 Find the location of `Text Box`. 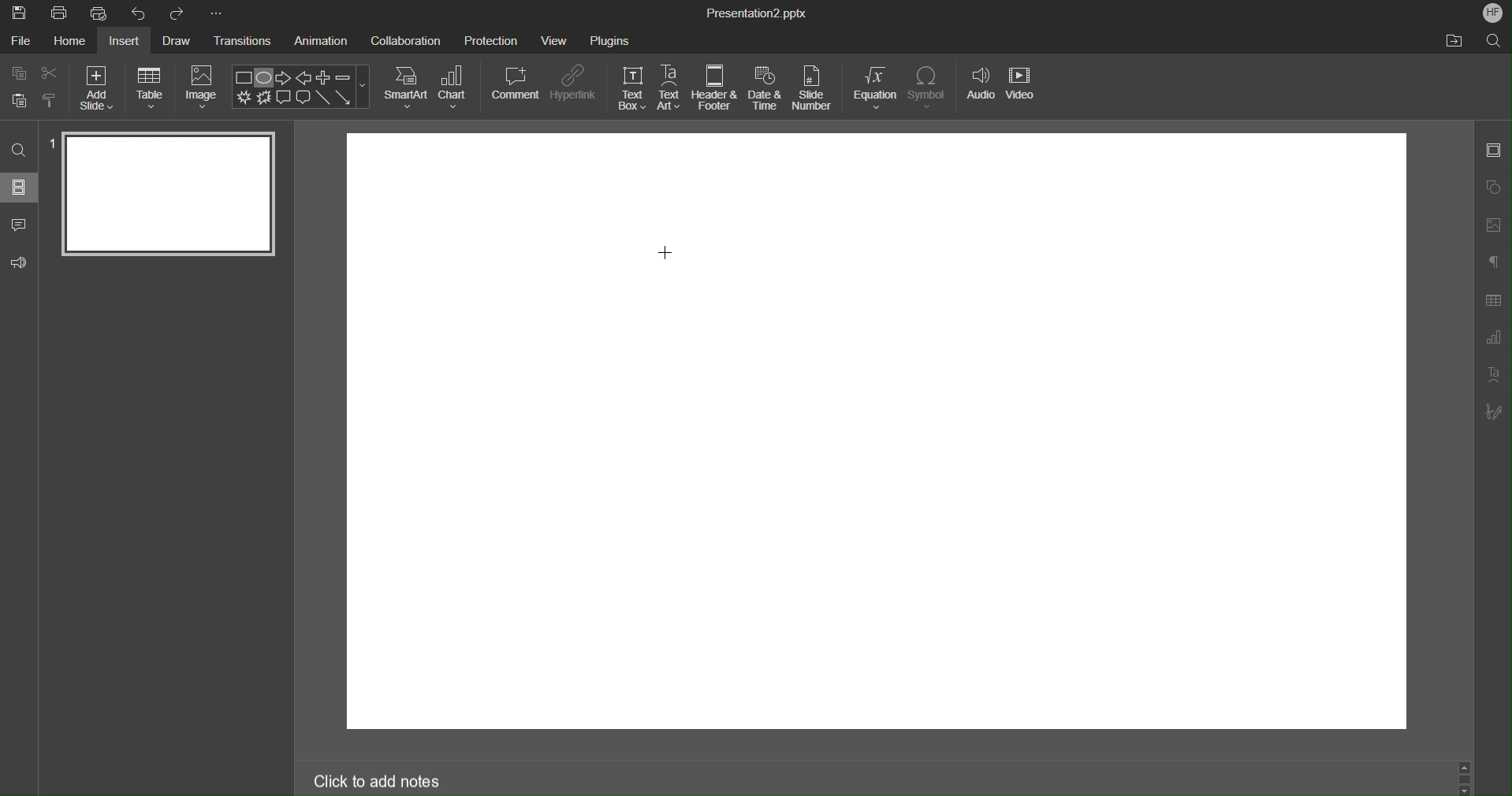

Text Box is located at coordinates (631, 88).